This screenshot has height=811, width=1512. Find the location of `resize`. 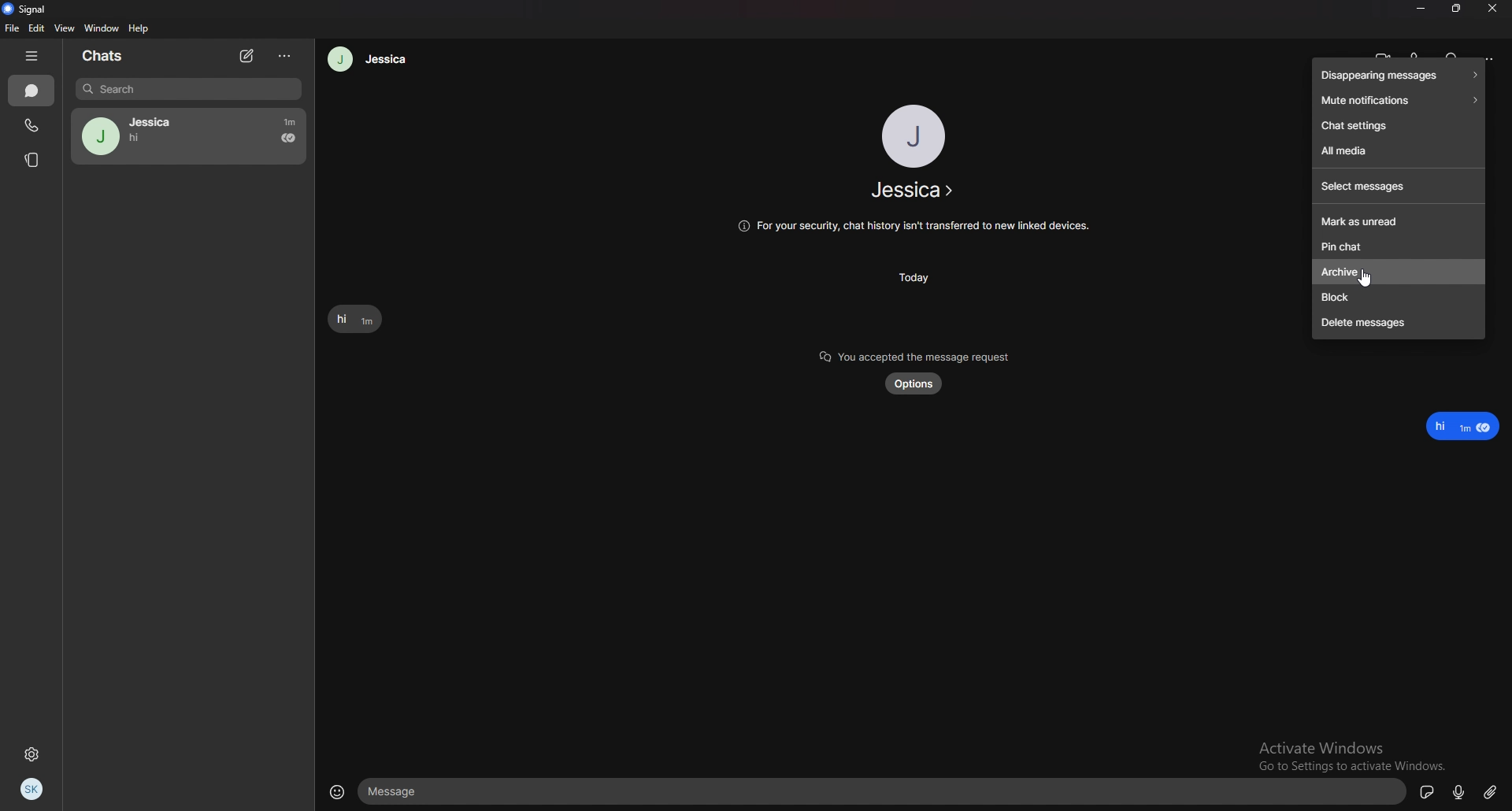

resize is located at coordinates (1456, 9).